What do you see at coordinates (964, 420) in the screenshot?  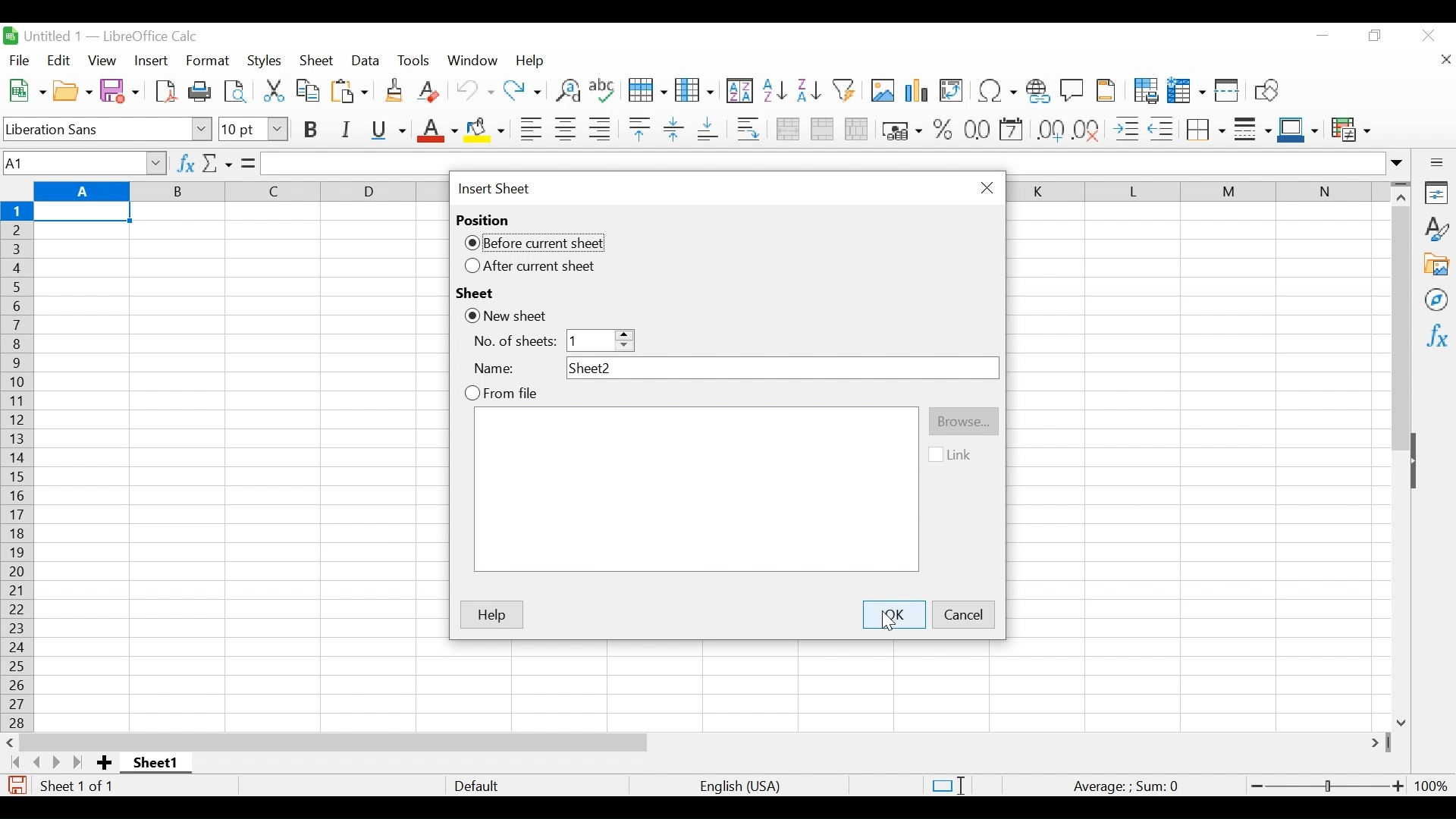 I see `Browse` at bounding box center [964, 420].